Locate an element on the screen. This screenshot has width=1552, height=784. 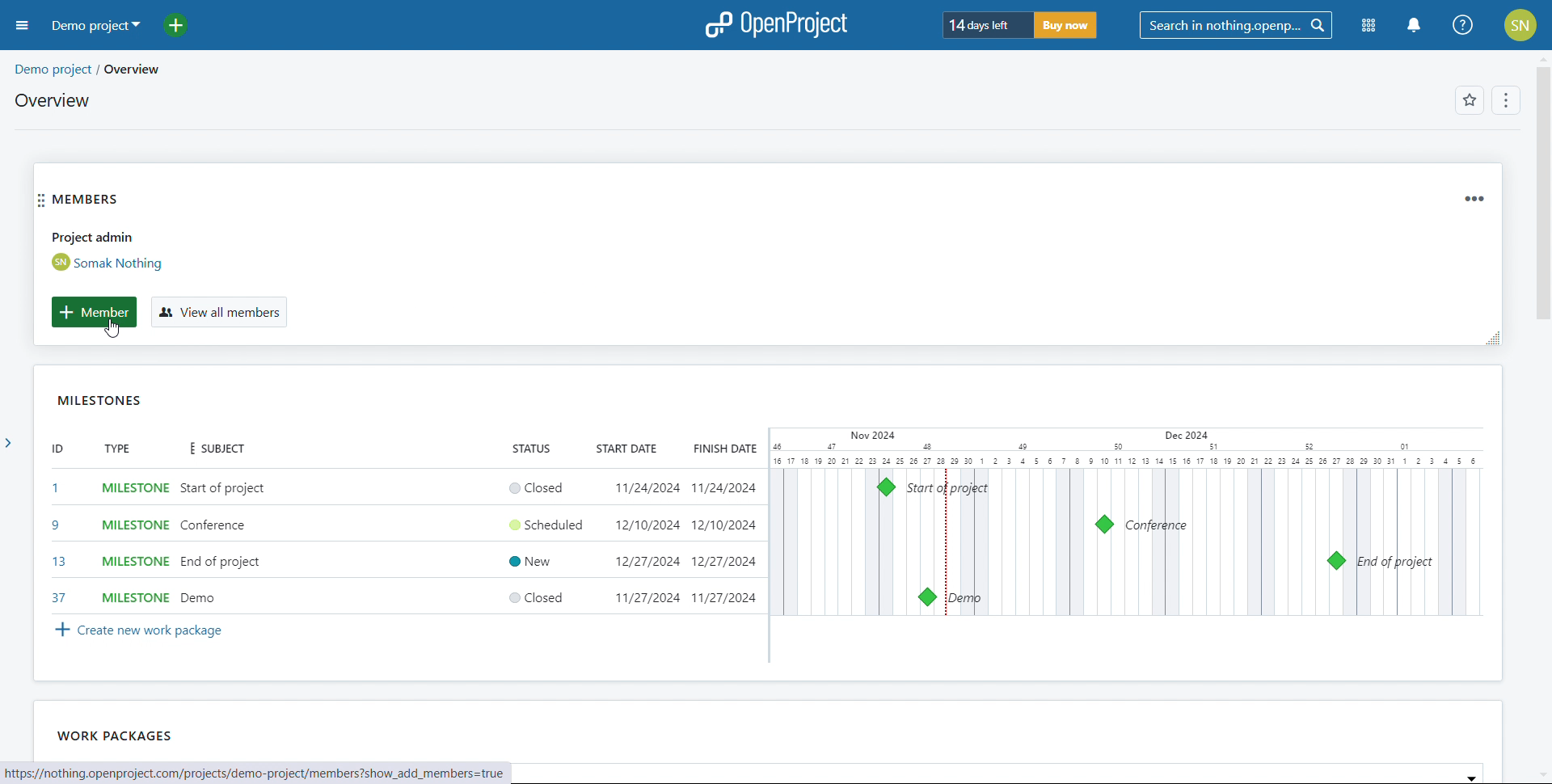
create new work package is located at coordinates (140, 631).